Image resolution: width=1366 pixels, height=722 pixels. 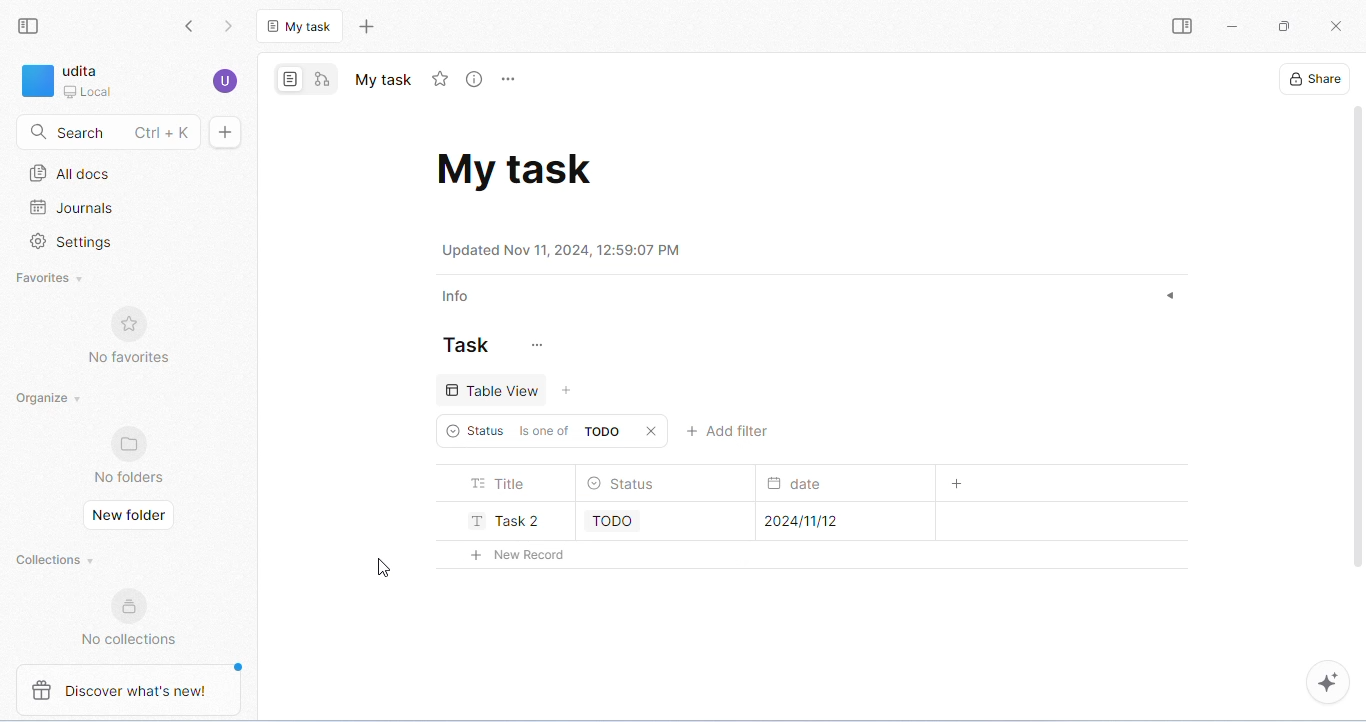 I want to click on edgeless mode, so click(x=321, y=79).